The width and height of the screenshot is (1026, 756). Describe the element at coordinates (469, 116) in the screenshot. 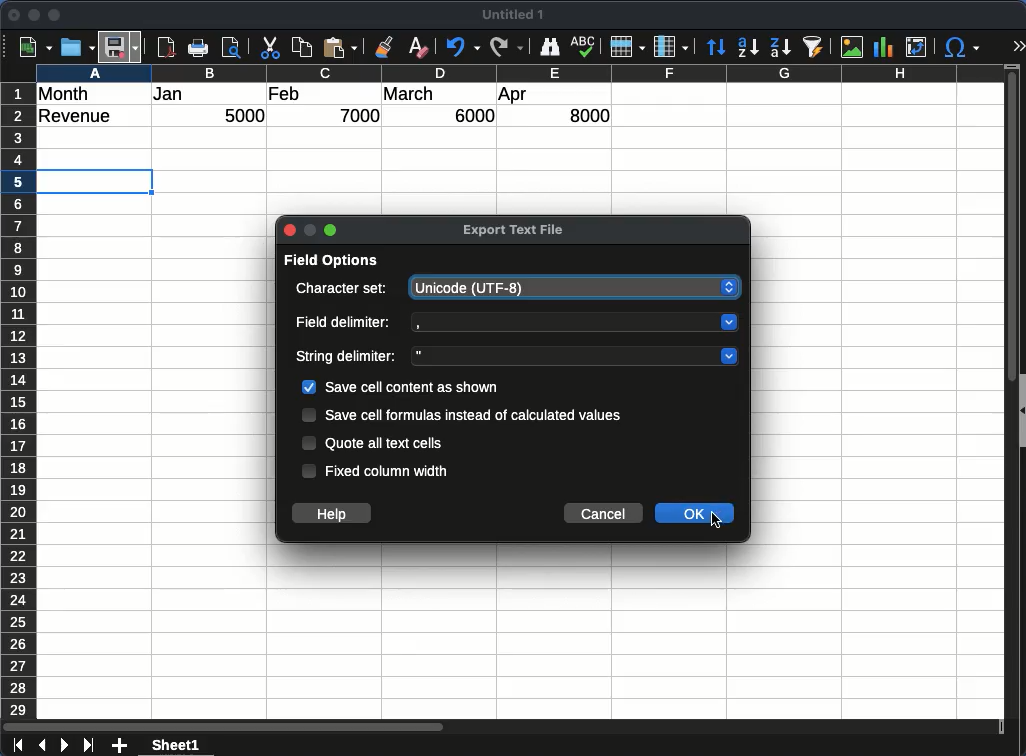

I see `6000` at that location.